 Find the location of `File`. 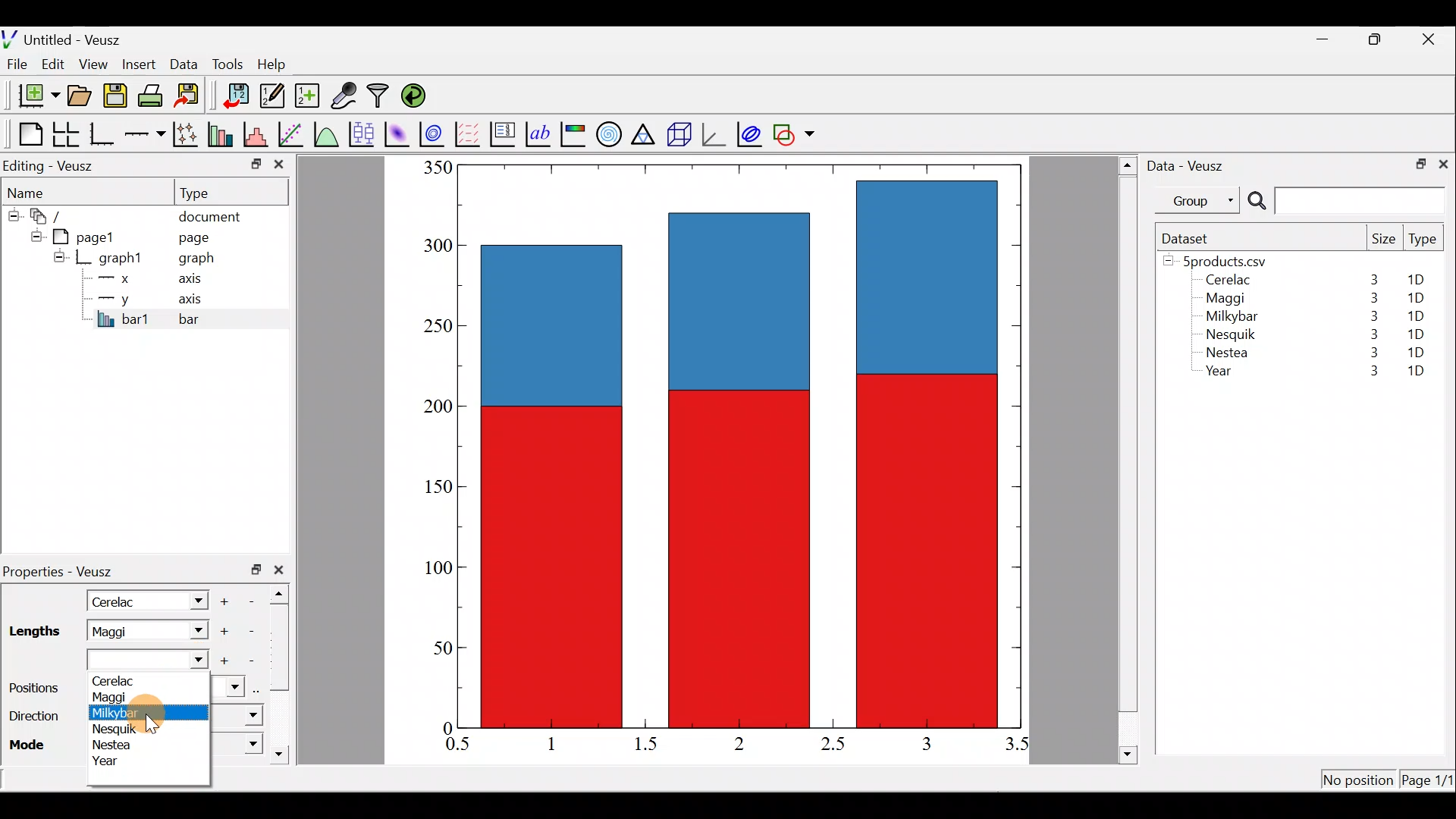

File is located at coordinates (14, 64).